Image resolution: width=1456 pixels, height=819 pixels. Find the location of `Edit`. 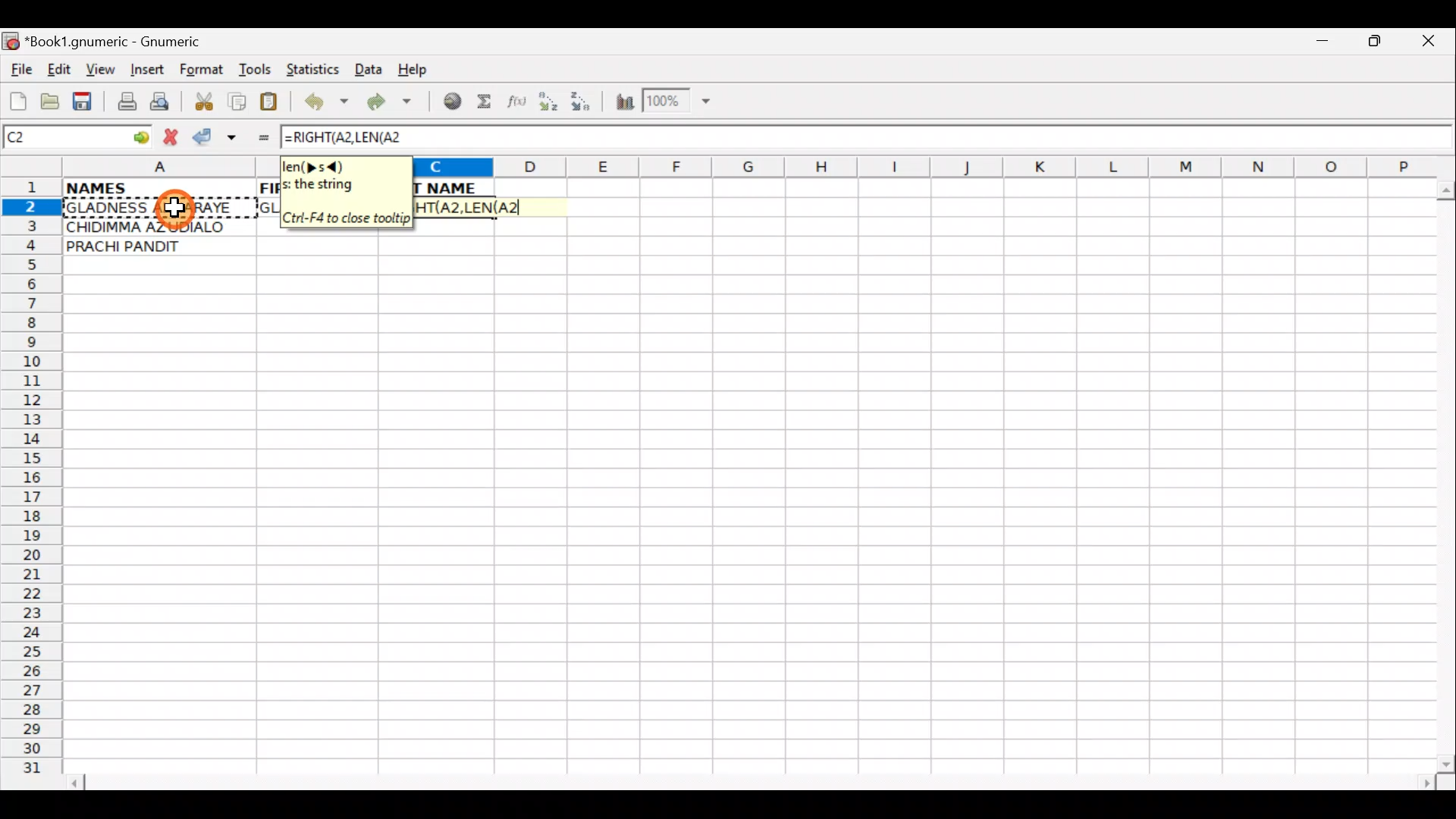

Edit is located at coordinates (58, 69).